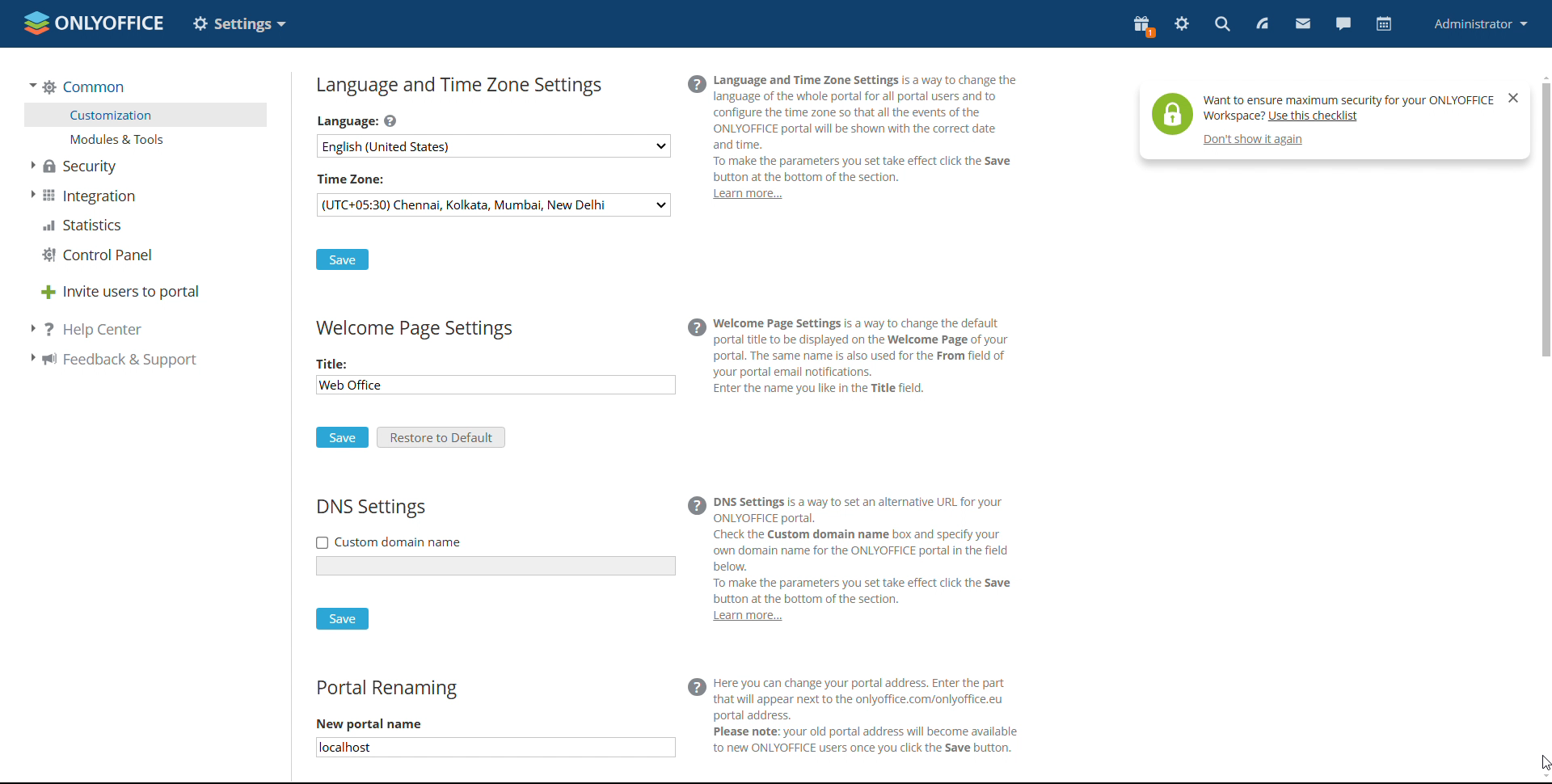 The image size is (1552, 784). Describe the element at coordinates (744, 620) in the screenshot. I see `learn more` at that location.